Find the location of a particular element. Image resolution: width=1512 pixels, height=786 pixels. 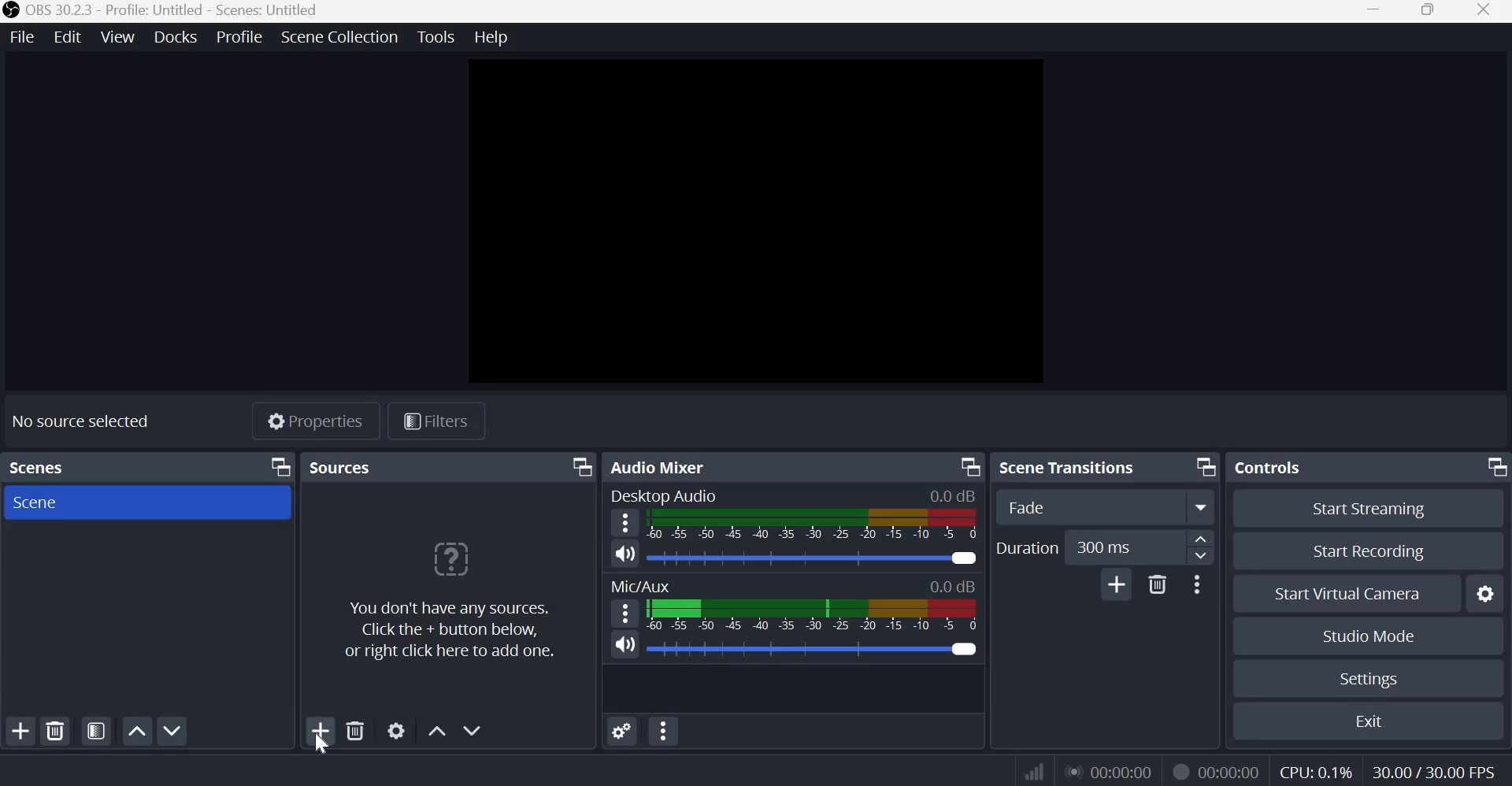

Duration is located at coordinates (1027, 549).